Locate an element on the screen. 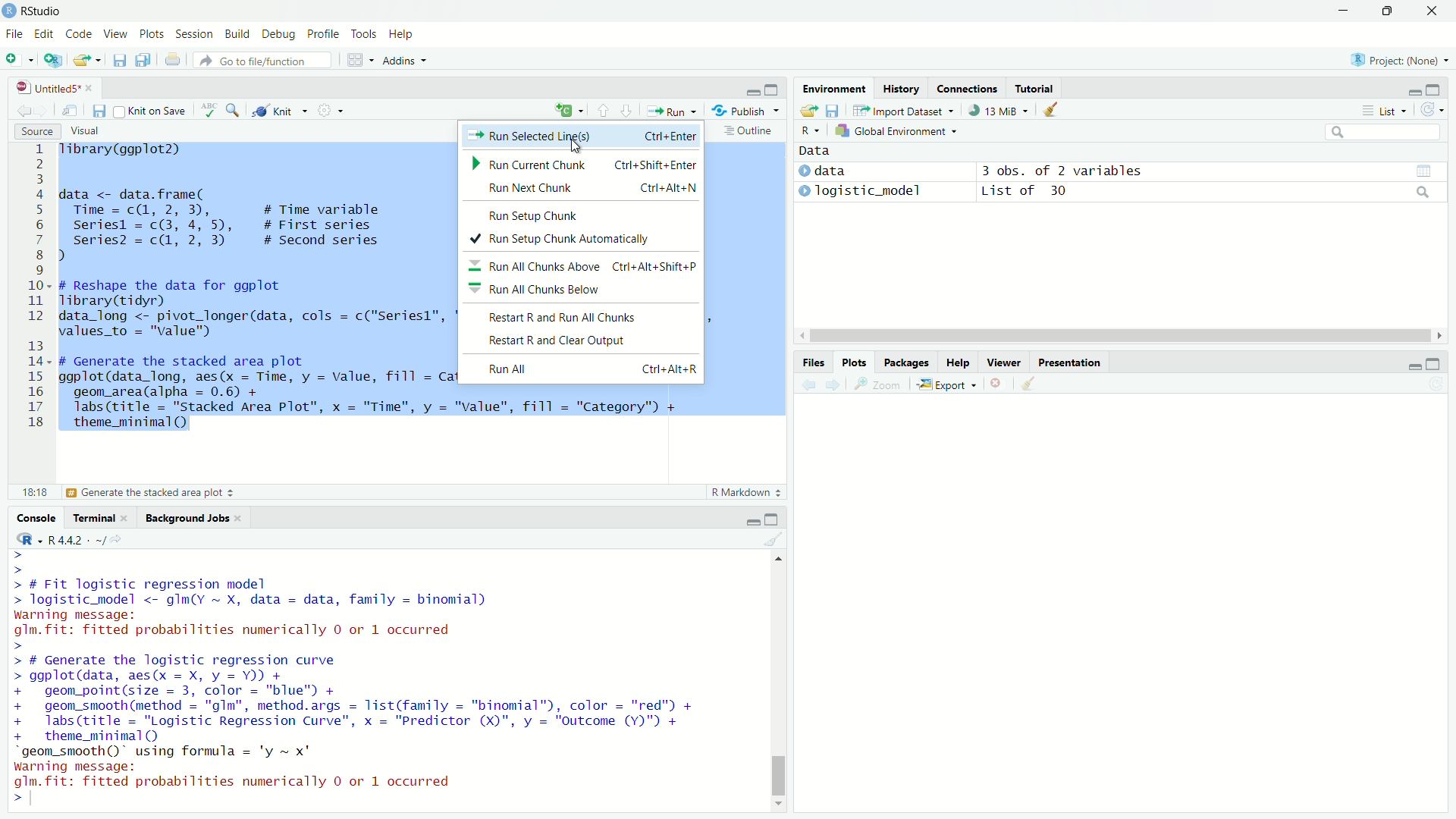 The height and width of the screenshot is (819, 1456). Debug is located at coordinates (273, 32).